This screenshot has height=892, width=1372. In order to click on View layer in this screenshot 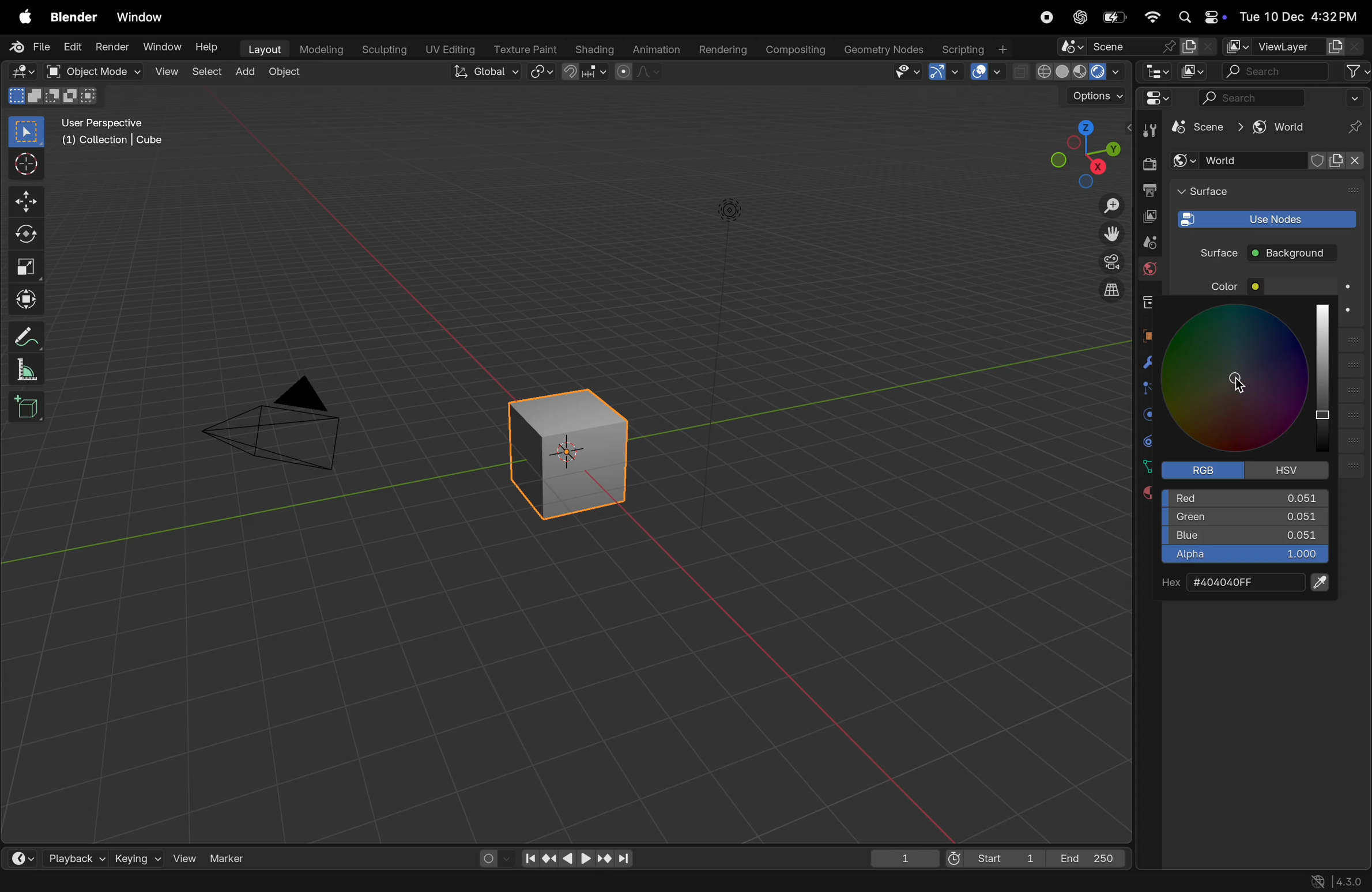, I will do `click(1292, 47)`.